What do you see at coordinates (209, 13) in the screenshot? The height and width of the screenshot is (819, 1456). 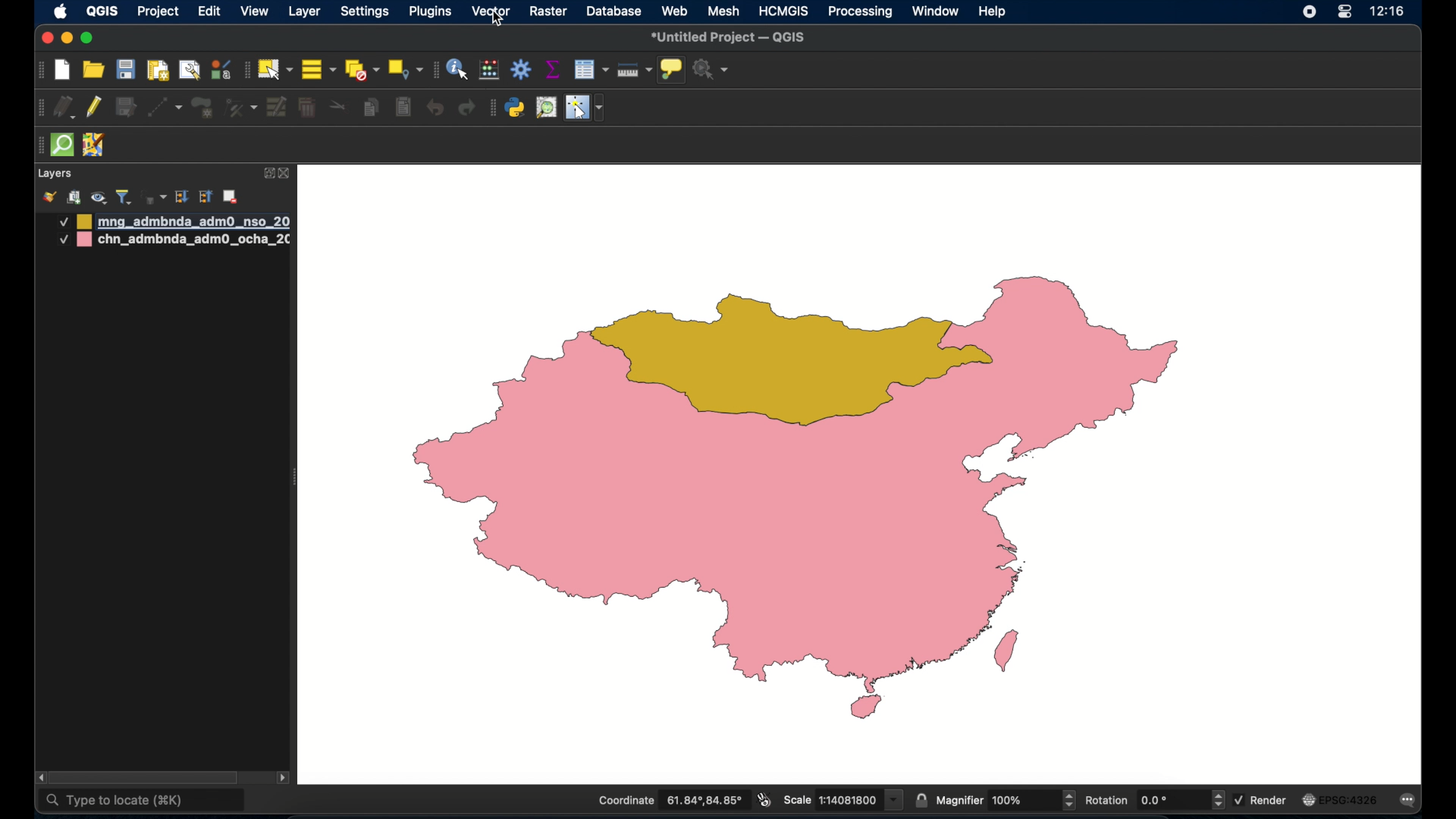 I see `edit` at bounding box center [209, 13].